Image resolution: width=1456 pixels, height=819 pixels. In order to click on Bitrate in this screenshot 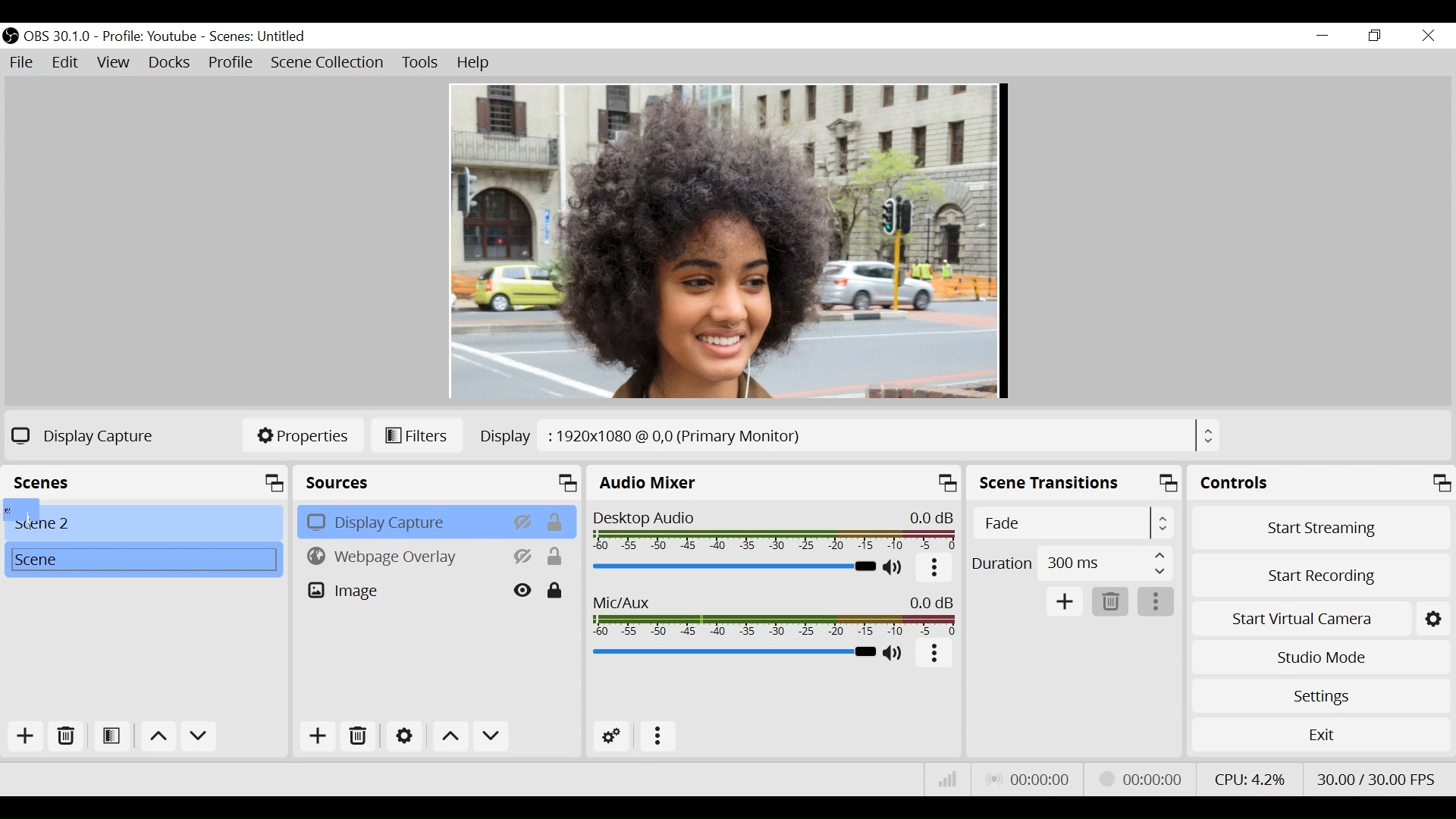, I will do `click(945, 778)`.